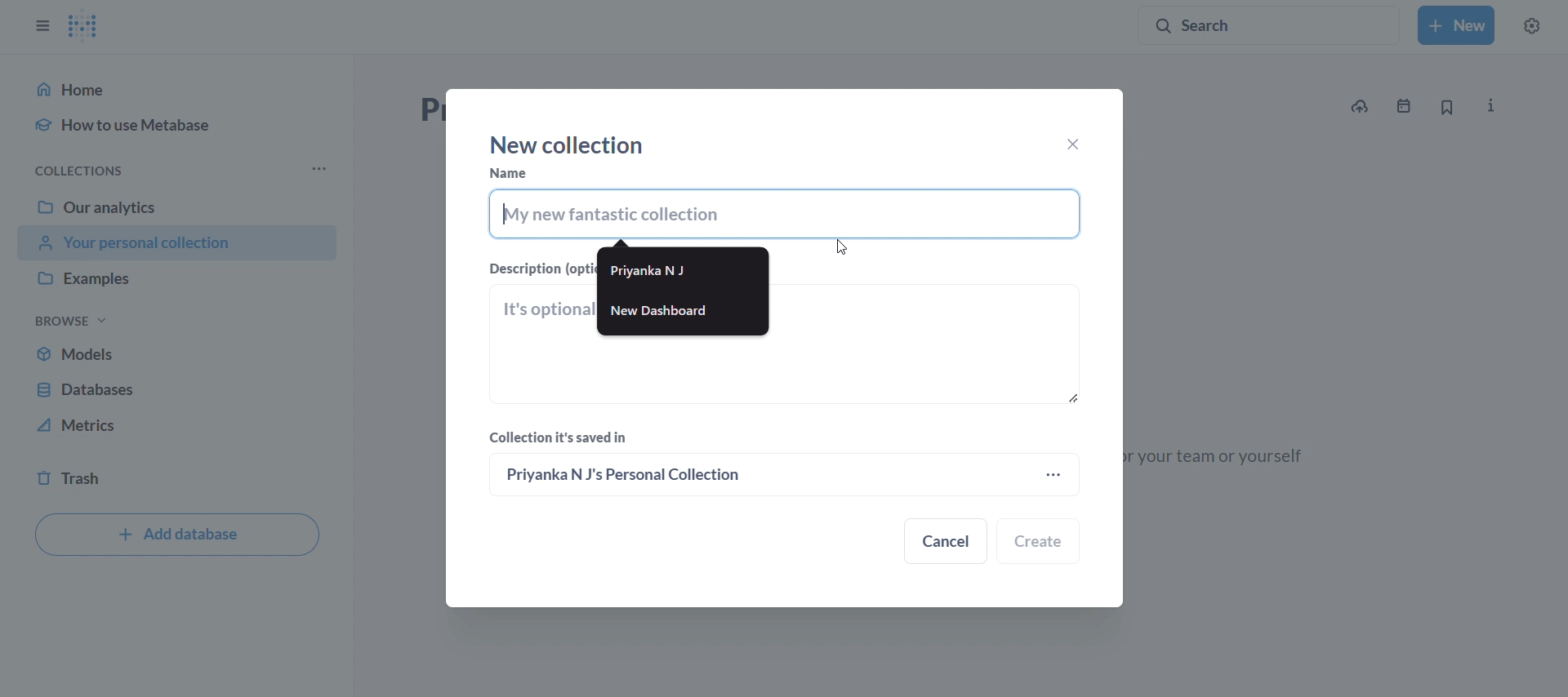 This screenshot has height=697, width=1568. Describe the element at coordinates (176, 88) in the screenshot. I see `home` at that location.